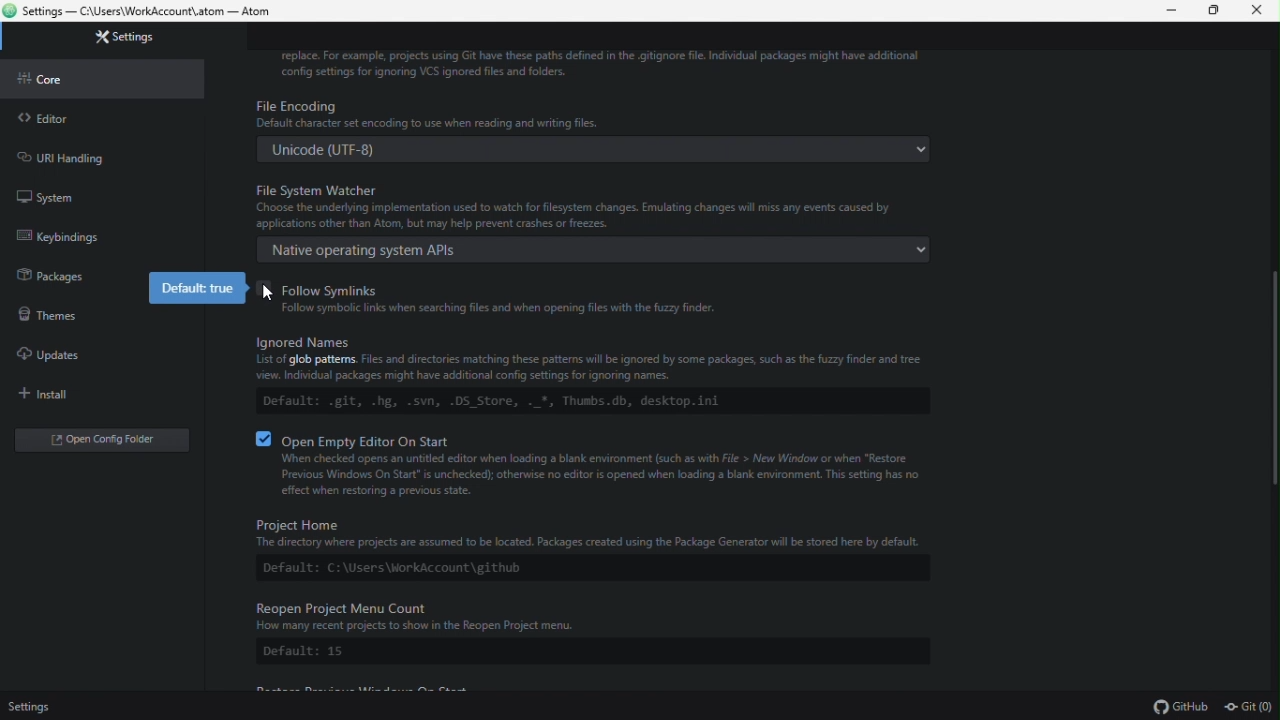 The width and height of the screenshot is (1280, 720). I want to click on Project home, so click(588, 547).